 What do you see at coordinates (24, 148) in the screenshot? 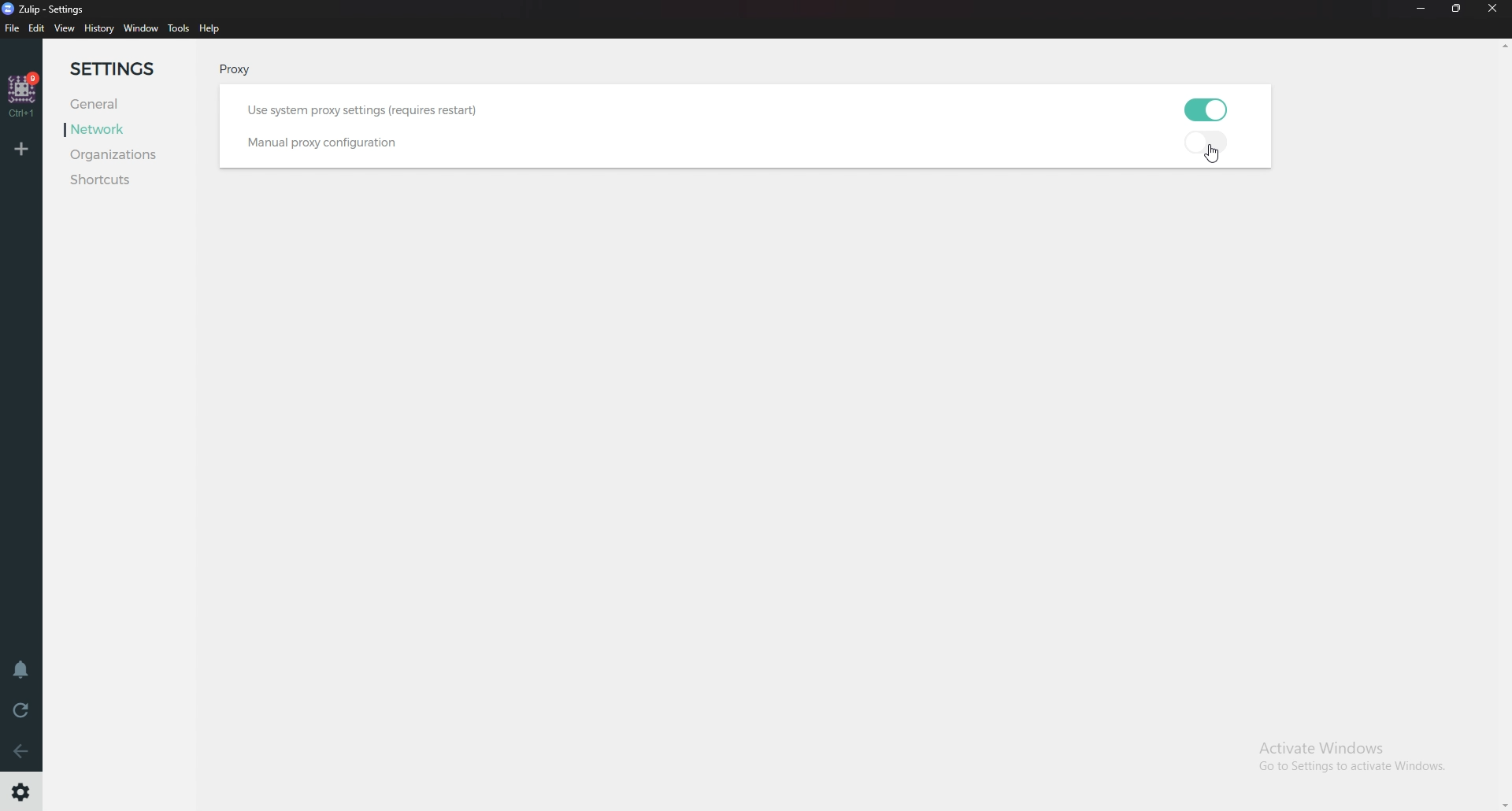
I see `Add organization` at bounding box center [24, 148].